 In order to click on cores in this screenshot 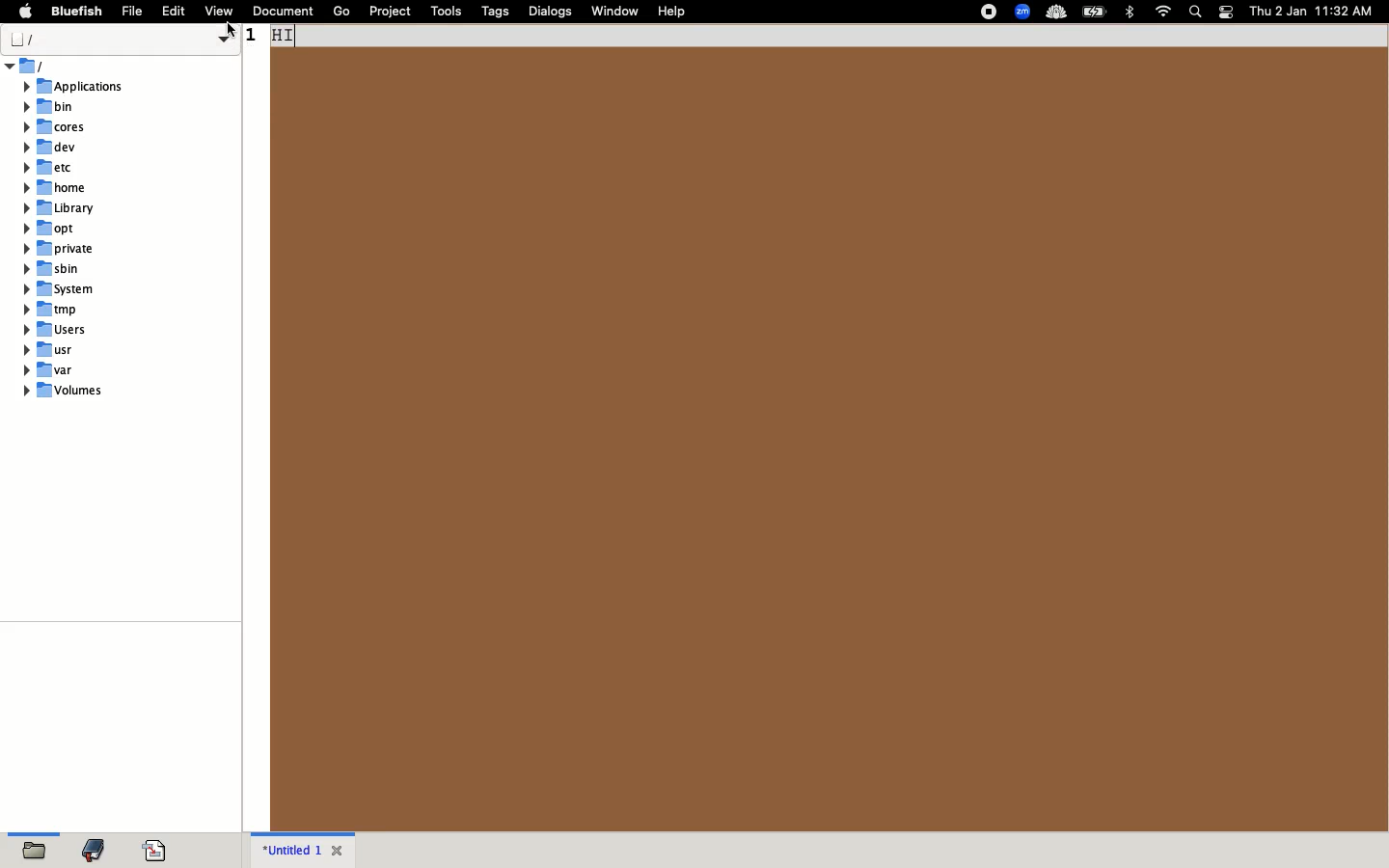, I will do `click(54, 126)`.